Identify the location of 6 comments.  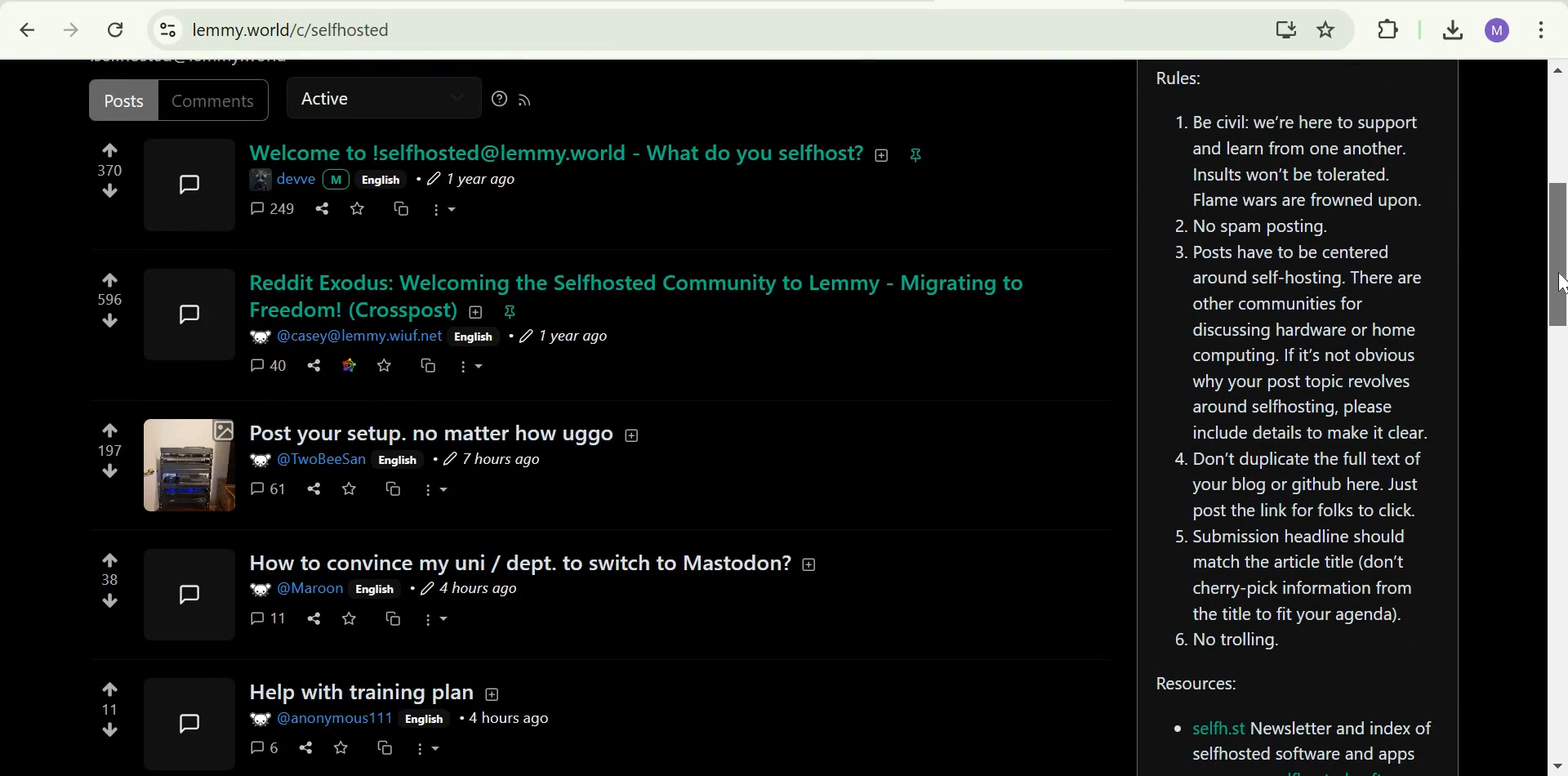
(262, 747).